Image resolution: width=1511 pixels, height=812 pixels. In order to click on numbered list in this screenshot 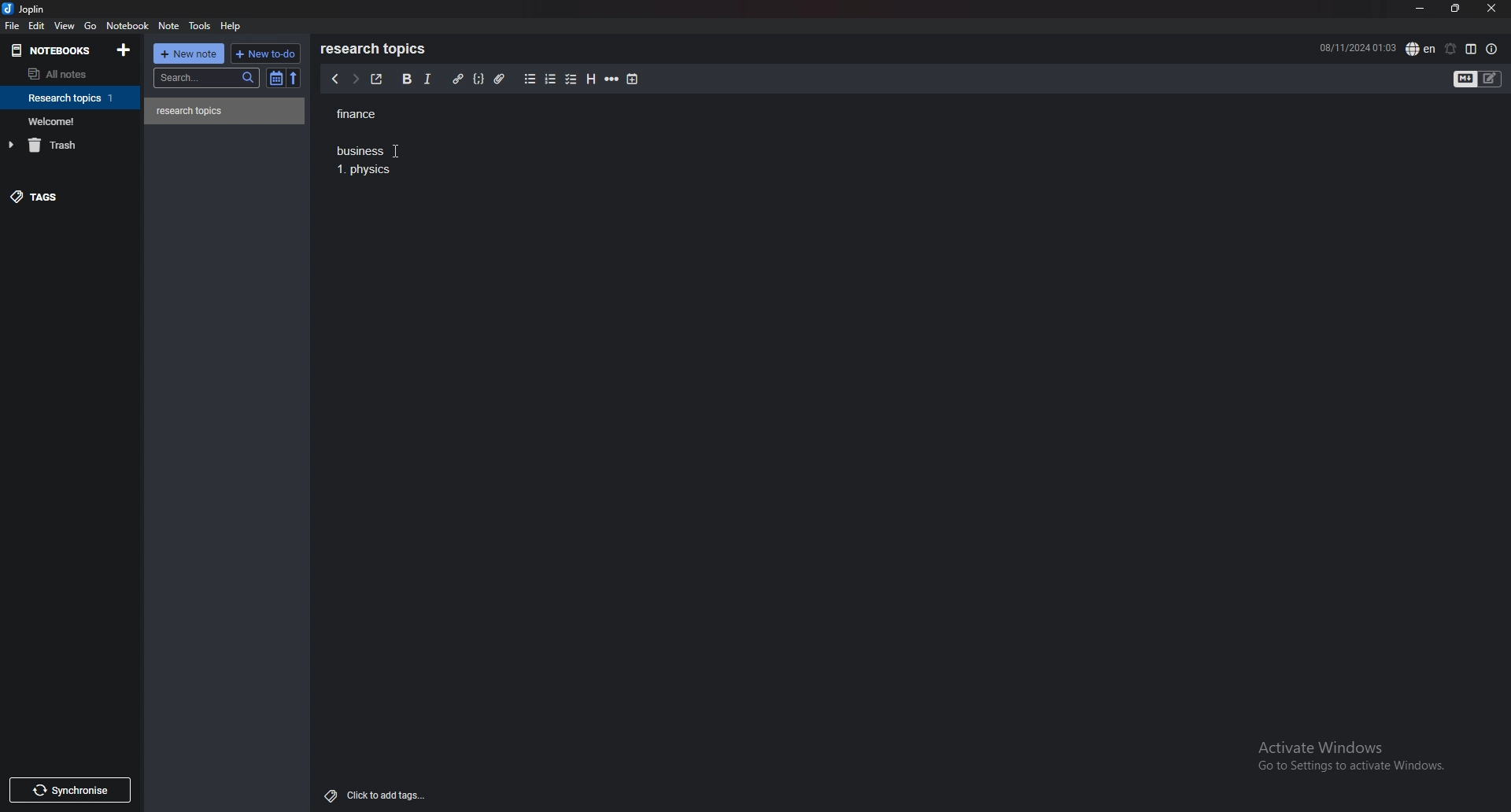, I will do `click(552, 79)`.